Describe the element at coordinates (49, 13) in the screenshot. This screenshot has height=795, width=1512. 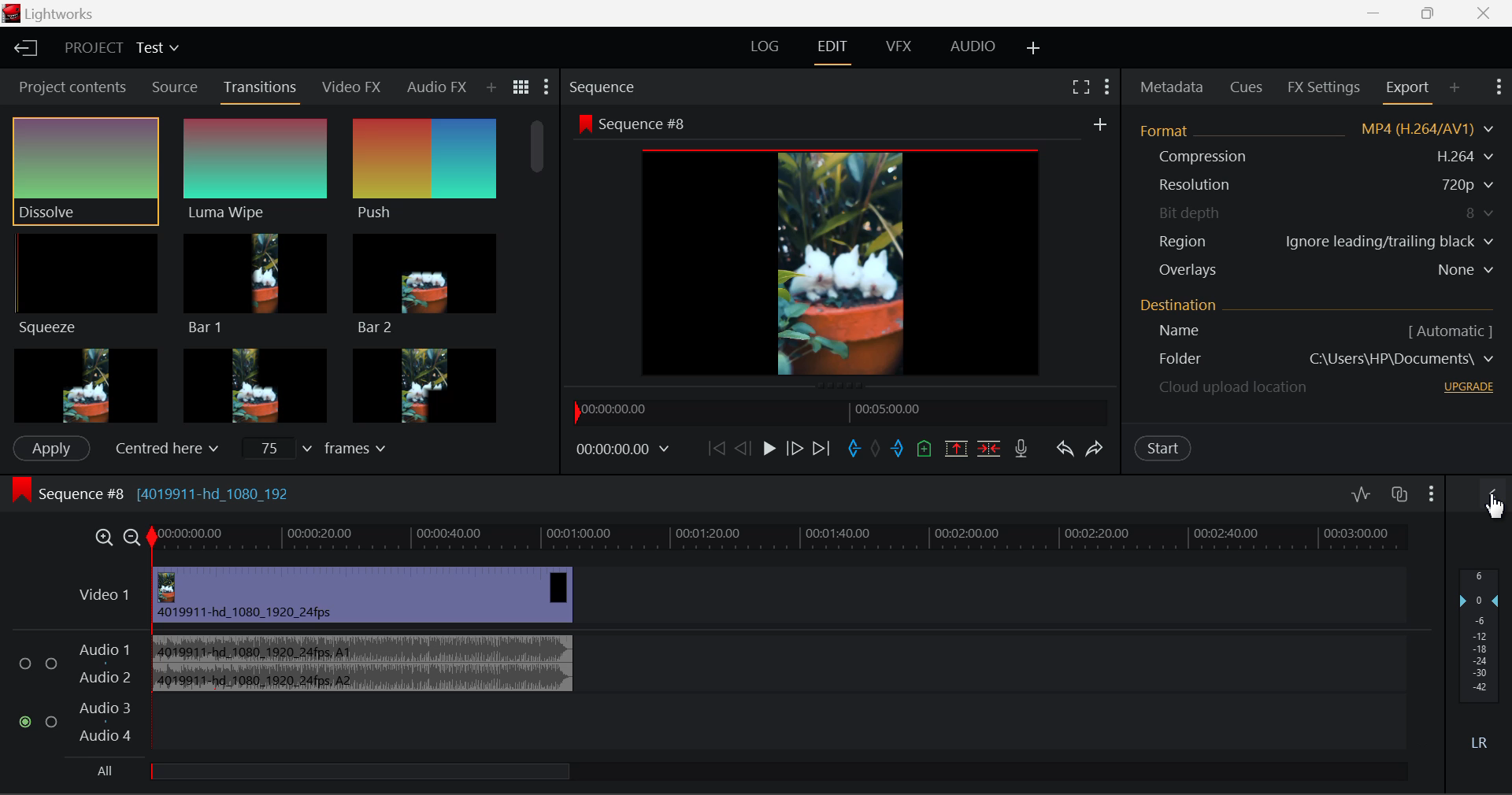
I see `Lightworks` at that location.